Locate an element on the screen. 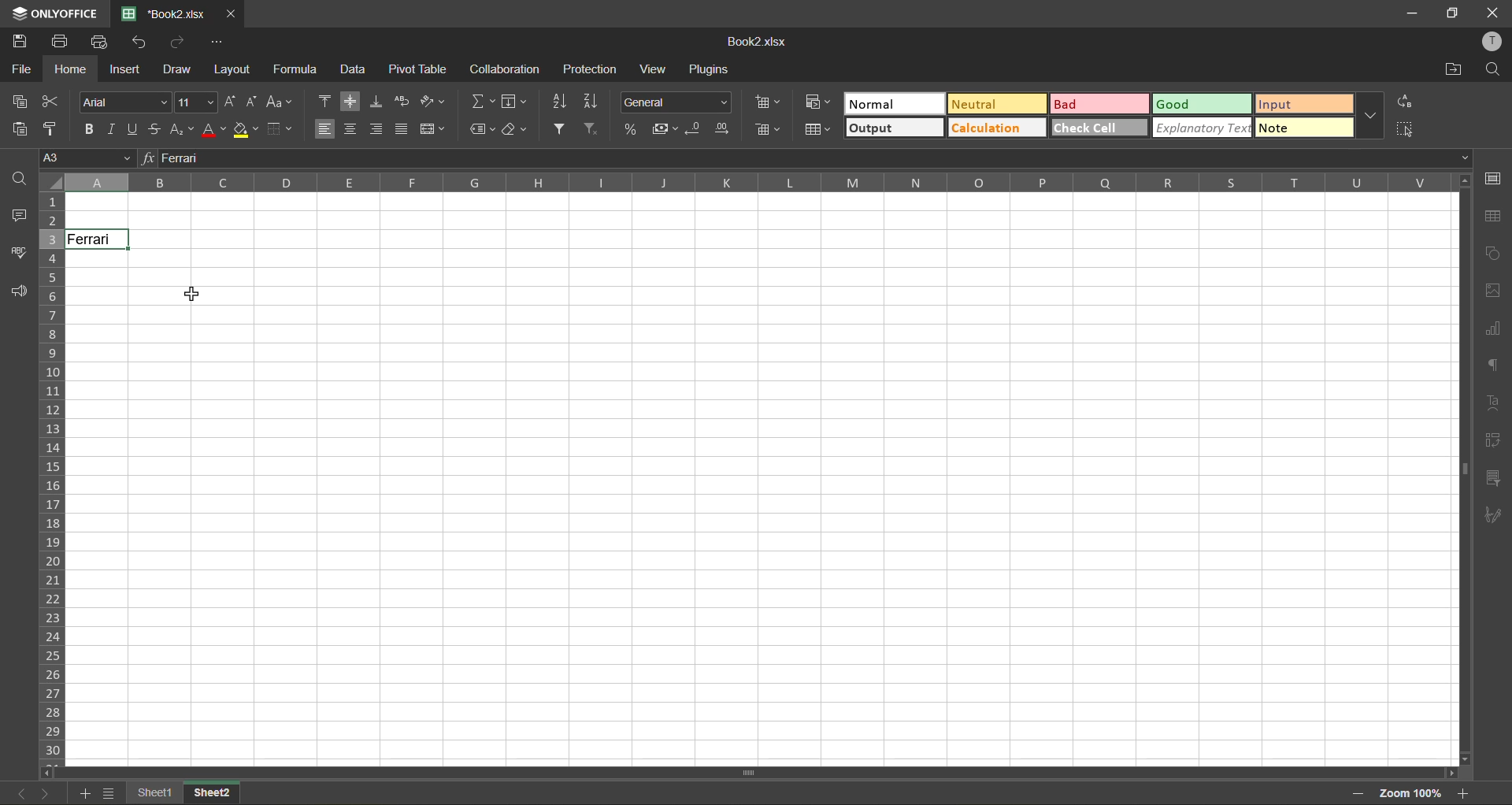  font color is located at coordinates (213, 128).